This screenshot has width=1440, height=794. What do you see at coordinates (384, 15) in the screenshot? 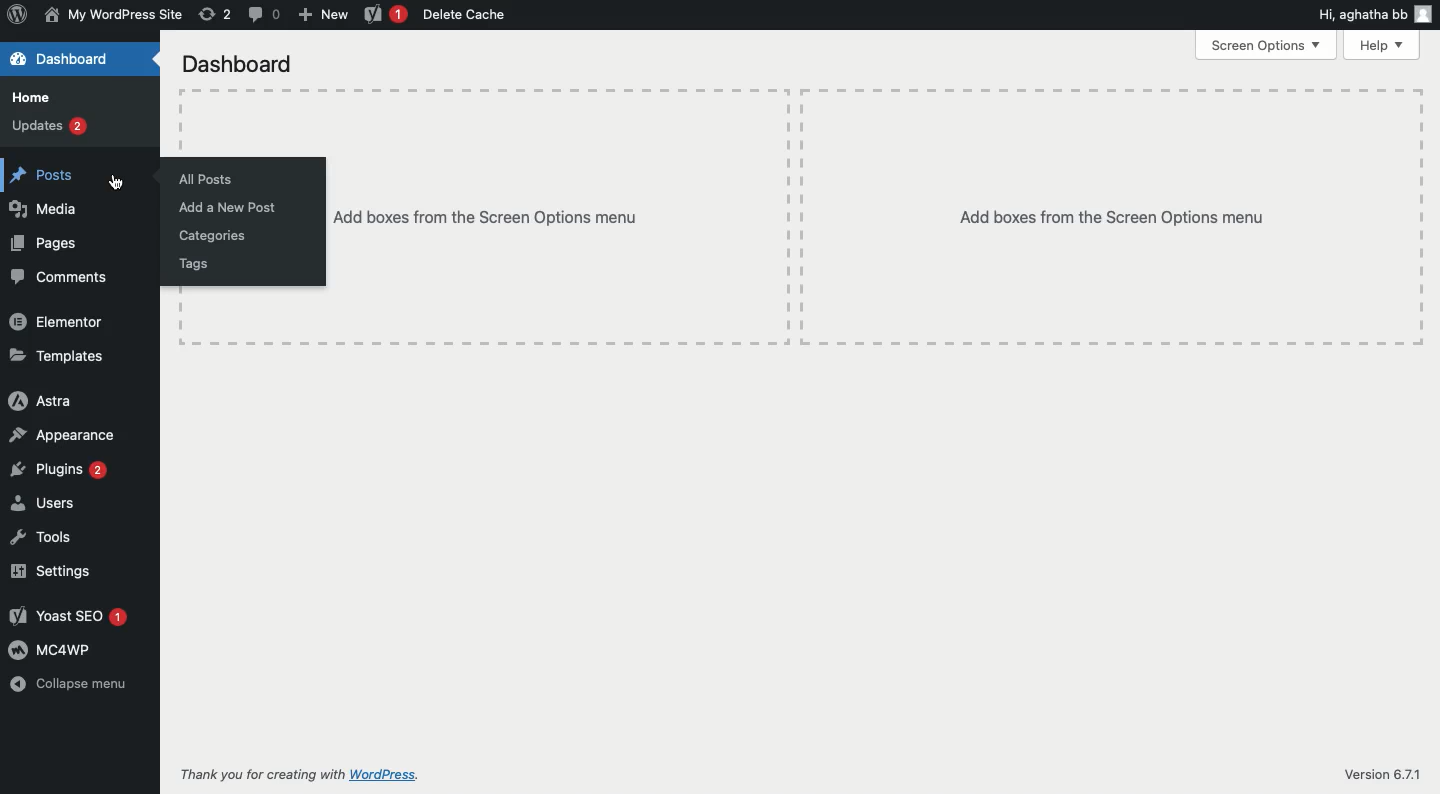
I see `Yoast` at bounding box center [384, 15].